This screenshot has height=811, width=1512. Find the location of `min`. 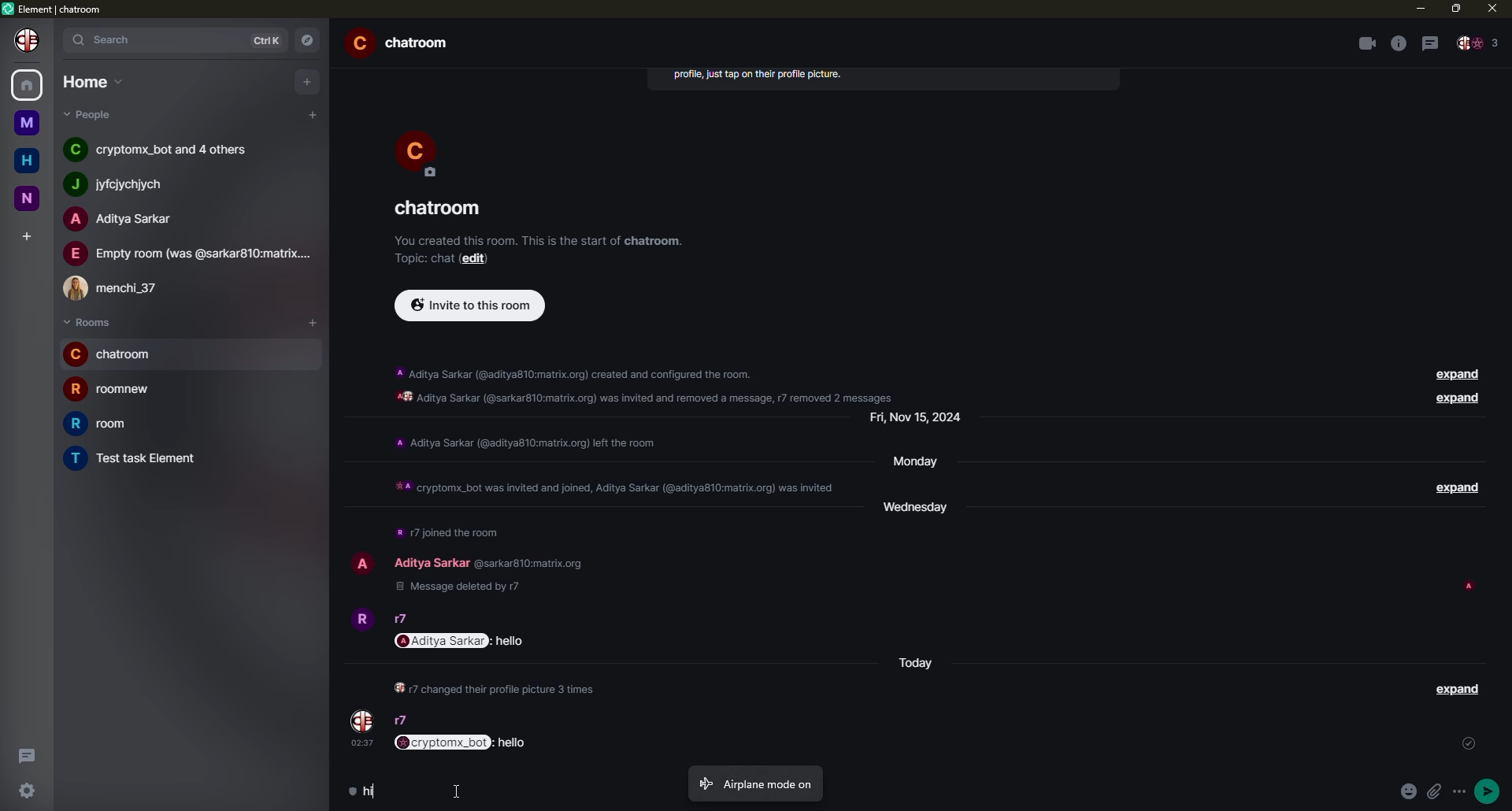

min is located at coordinates (1418, 9).